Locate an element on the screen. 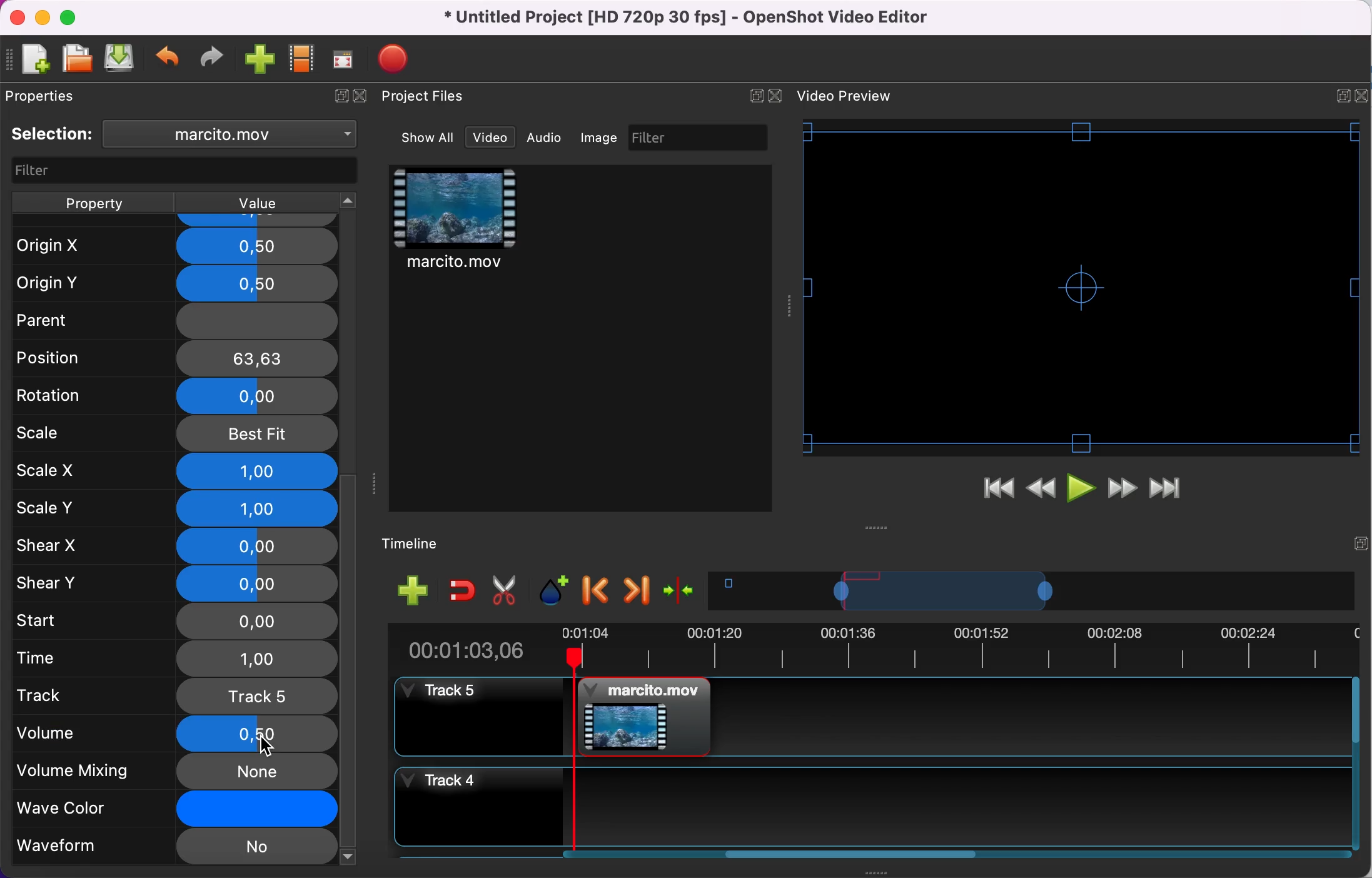  start 0 is located at coordinates (173, 622).